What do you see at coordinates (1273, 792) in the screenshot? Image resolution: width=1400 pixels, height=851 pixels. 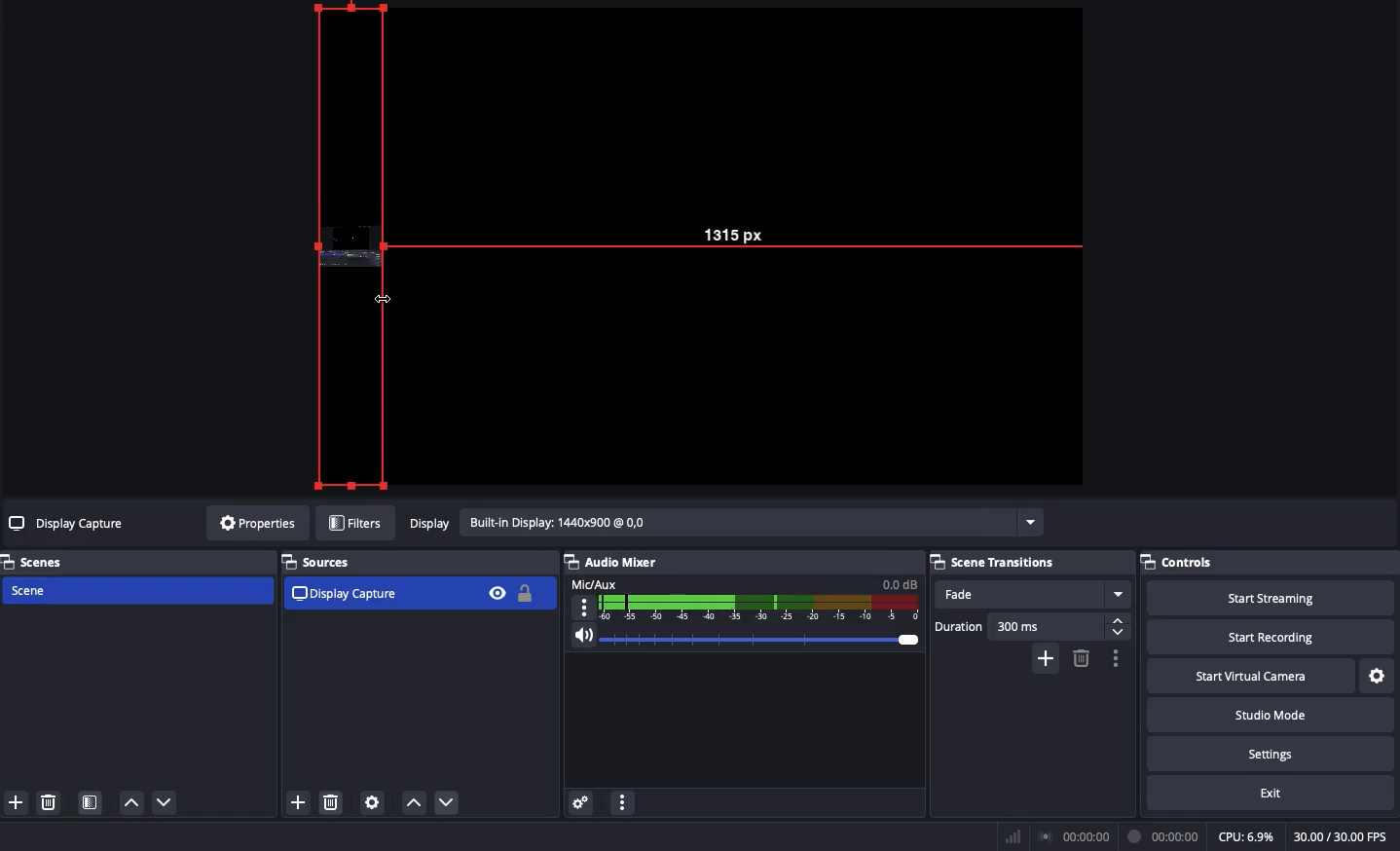 I see `Exit` at bounding box center [1273, 792].